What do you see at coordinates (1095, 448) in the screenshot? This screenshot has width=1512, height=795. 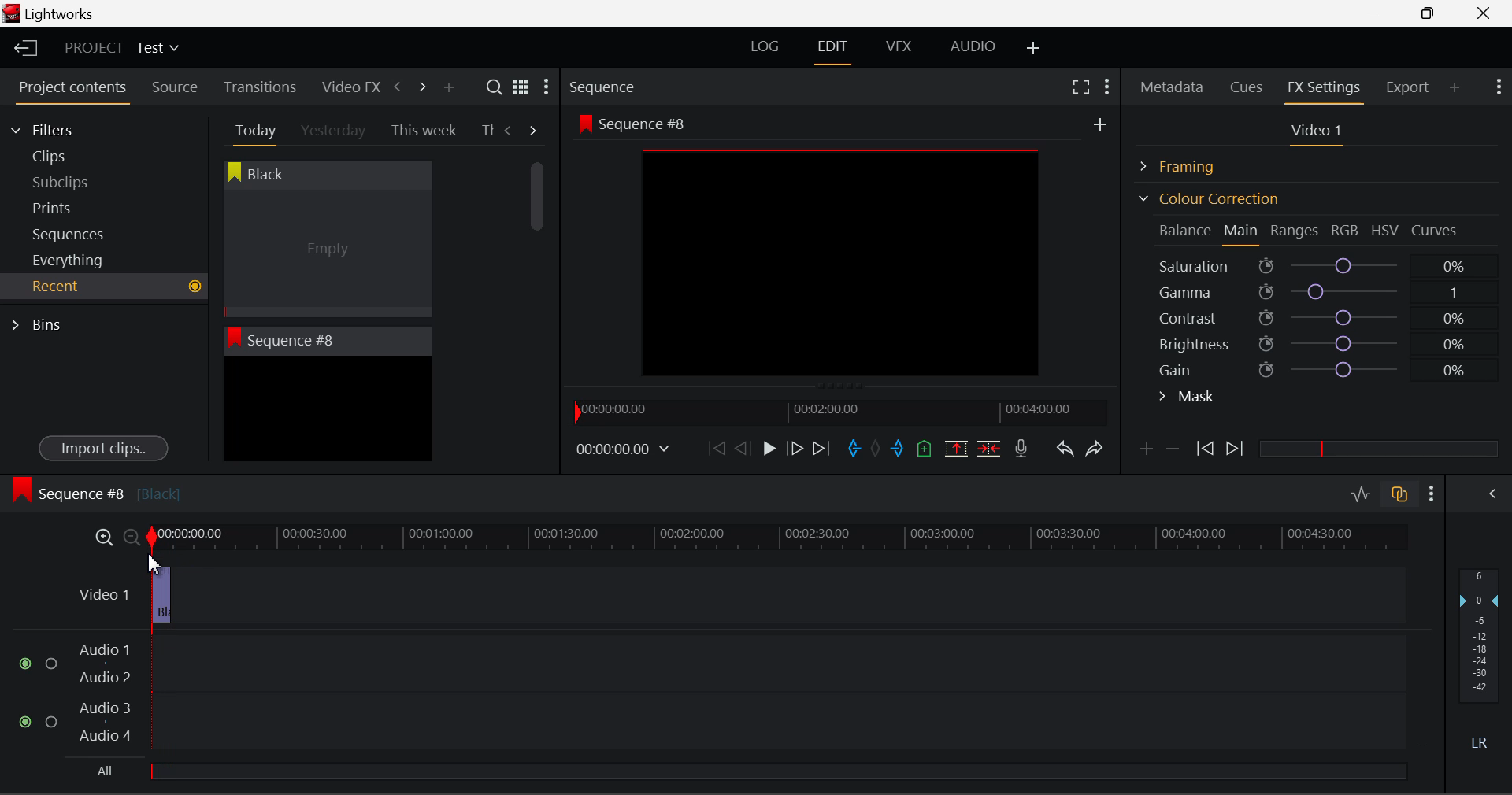 I see `Redo` at bounding box center [1095, 448].